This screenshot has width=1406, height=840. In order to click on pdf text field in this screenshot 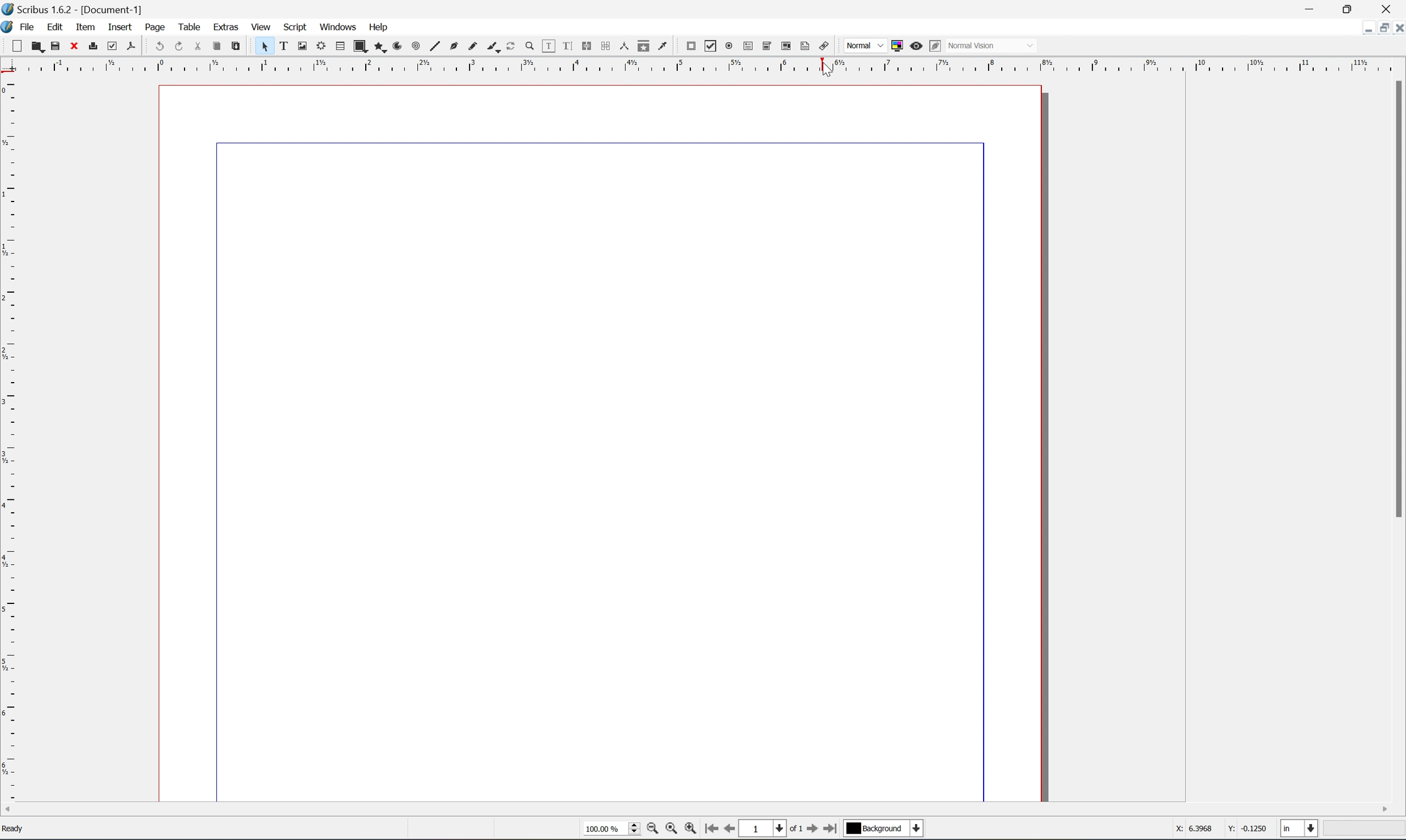, I will do `click(750, 46)`.